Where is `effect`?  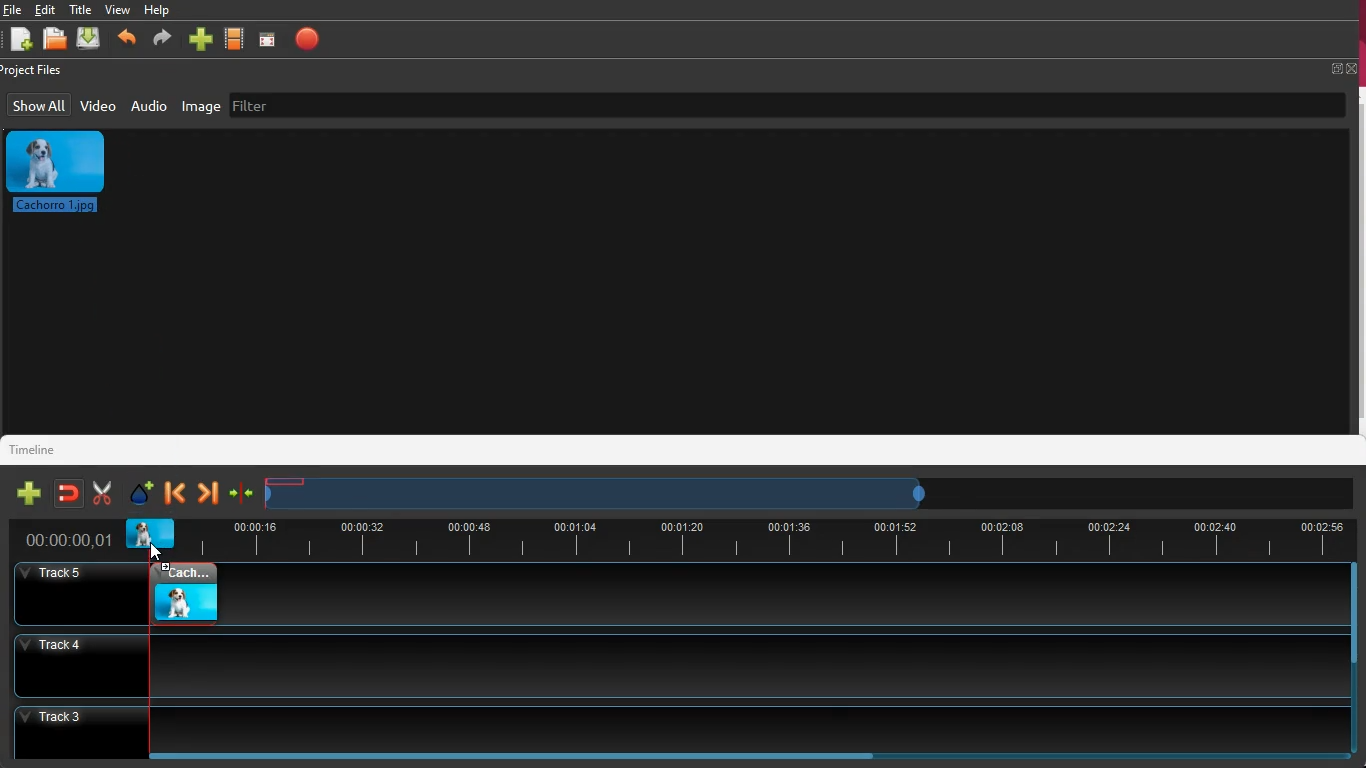 effect is located at coordinates (140, 492).